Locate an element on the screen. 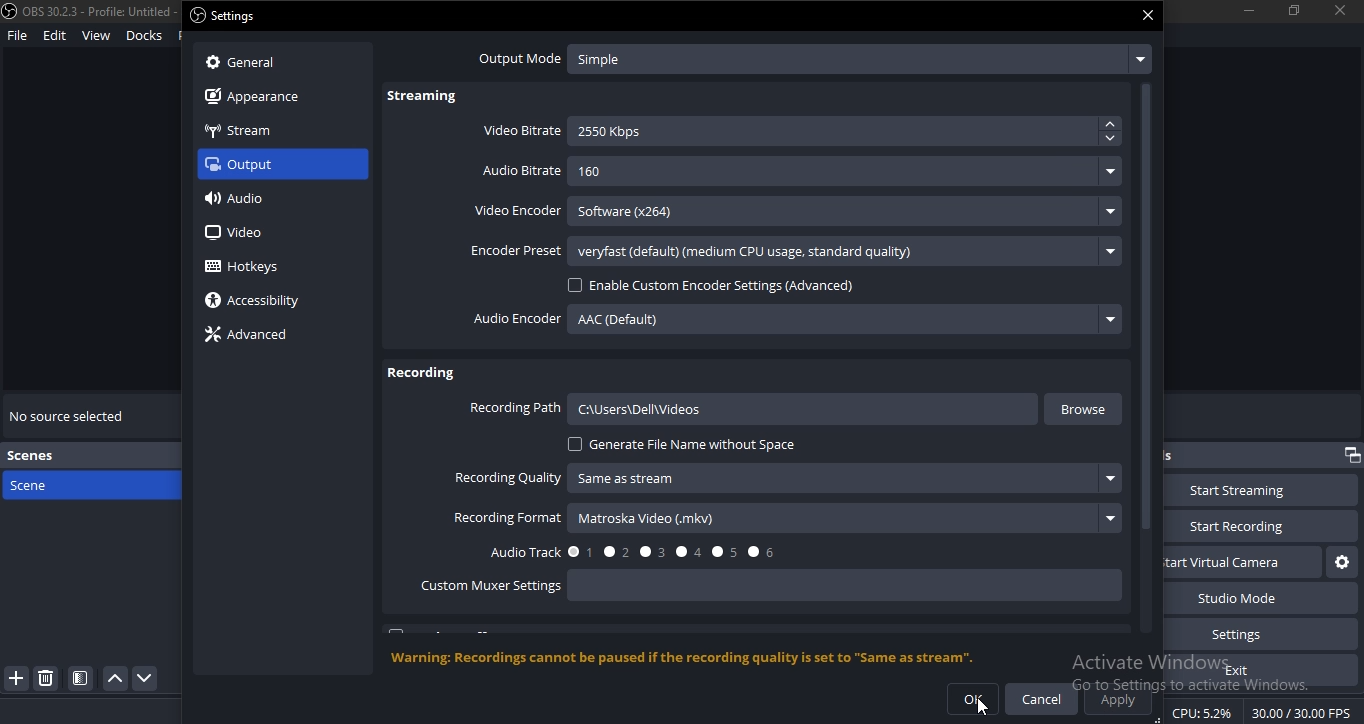  scene is located at coordinates (64, 484).